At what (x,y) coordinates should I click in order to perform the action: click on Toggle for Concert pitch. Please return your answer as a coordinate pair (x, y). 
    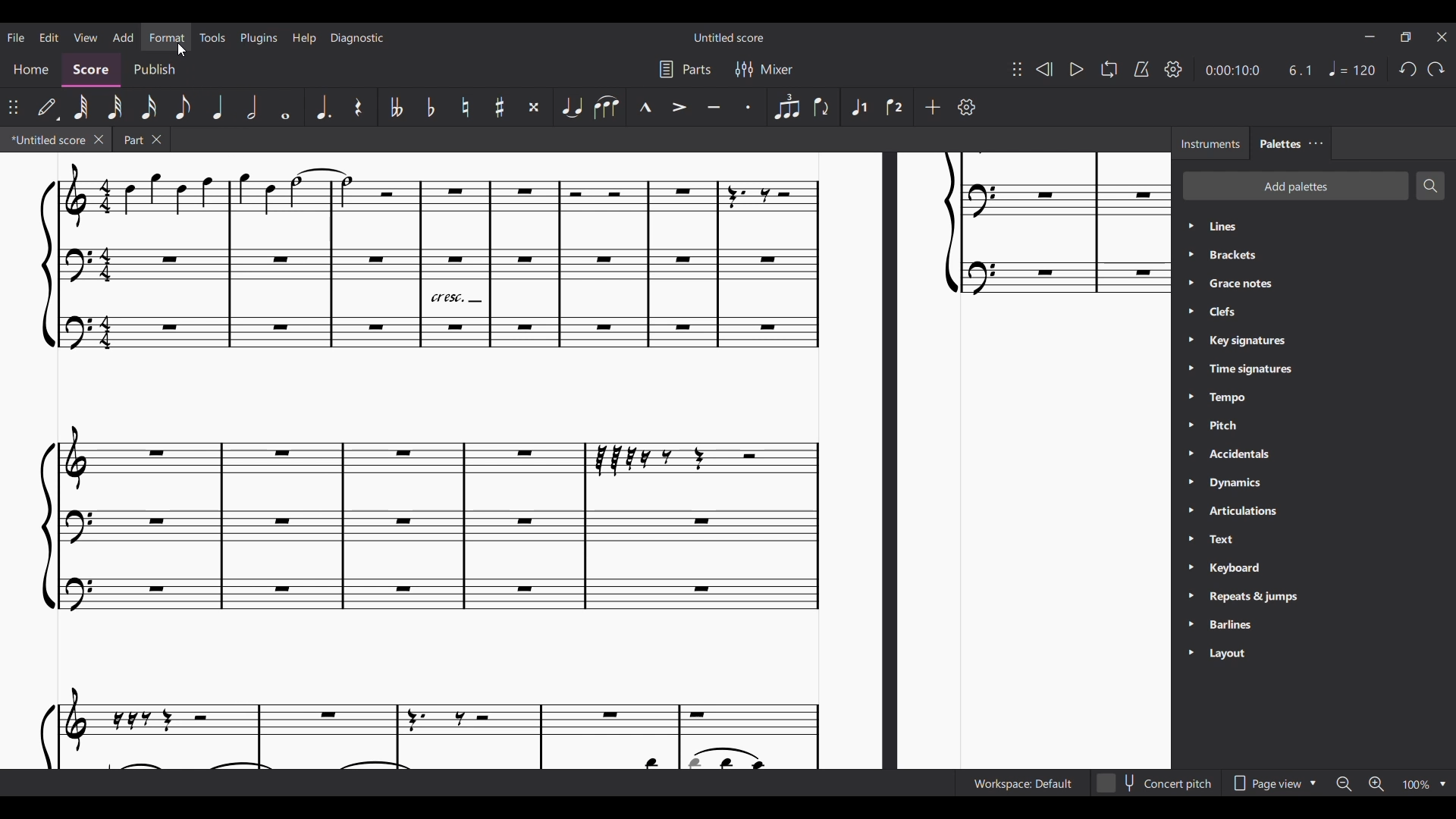
    Looking at the image, I should click on (1155, 783).